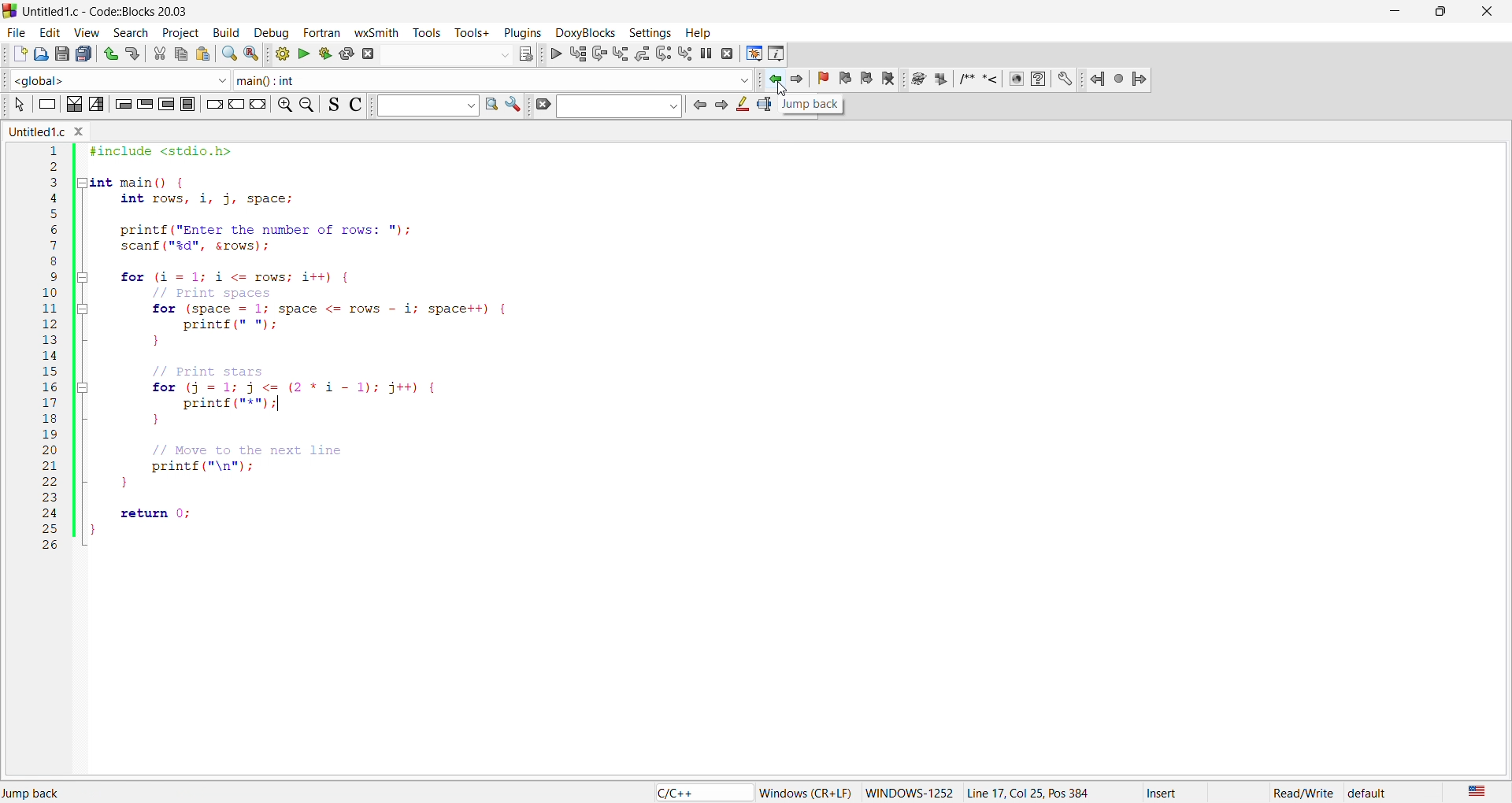 This screenshot has width=1512, height=803. I want to click on icon, so click(96, 105).